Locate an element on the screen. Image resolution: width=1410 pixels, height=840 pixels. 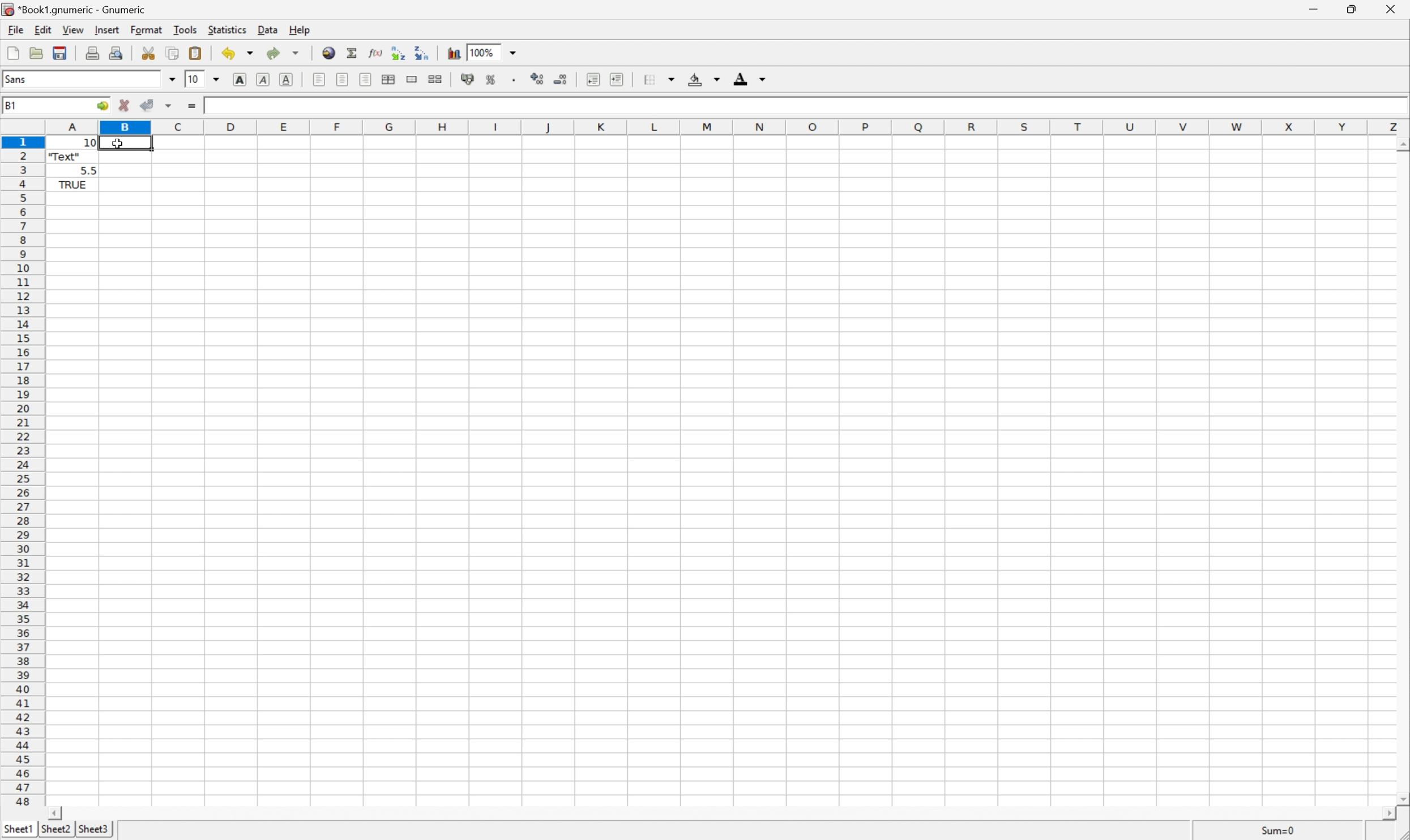
Sort the selected region in descending order based on the first column selected is located at coordinates (399, 53).